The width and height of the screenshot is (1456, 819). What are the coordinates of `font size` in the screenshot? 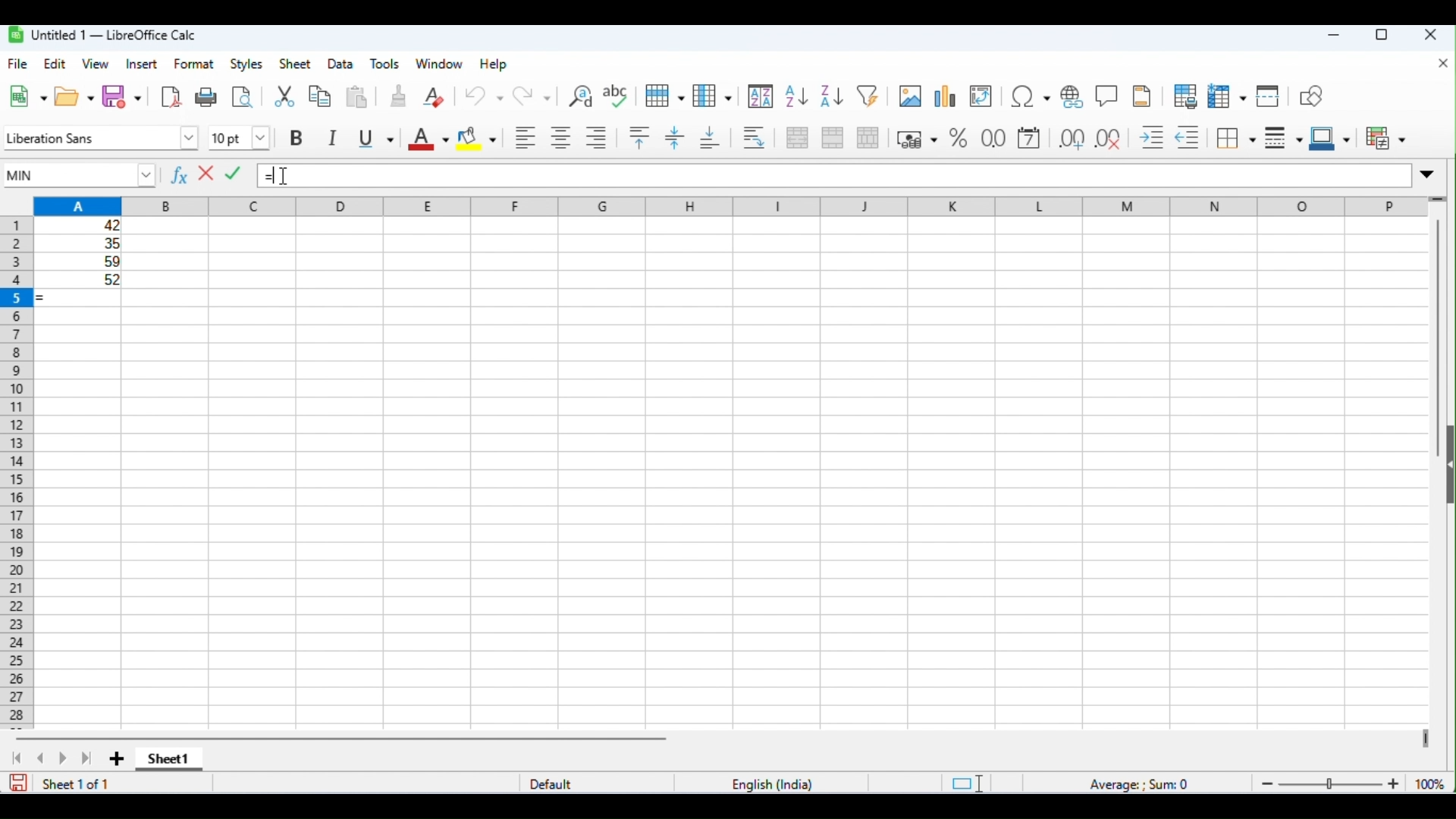 It's located at (240, 137).